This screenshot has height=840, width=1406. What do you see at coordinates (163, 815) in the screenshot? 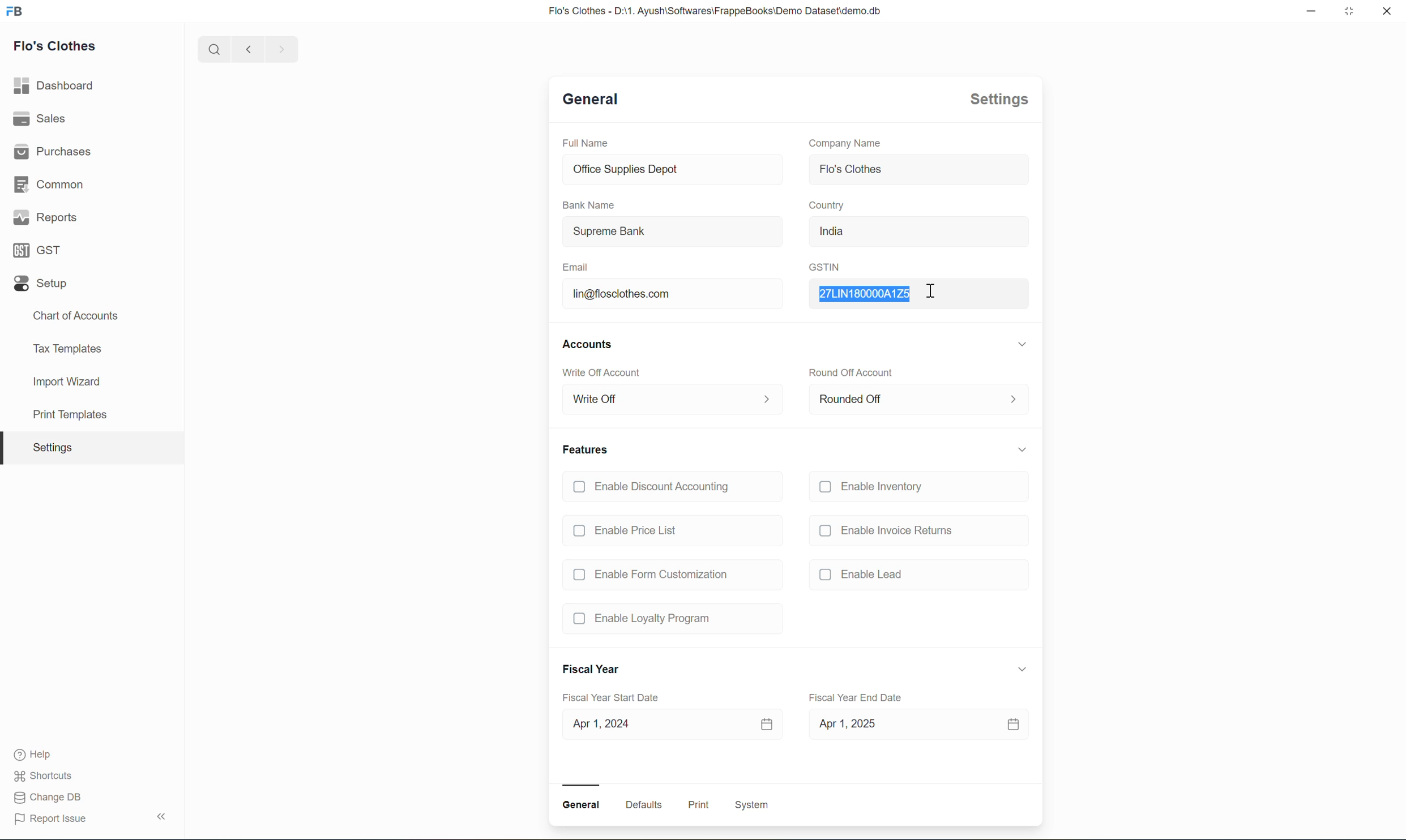
I see `Collapse` at bounding box center [163, 815].